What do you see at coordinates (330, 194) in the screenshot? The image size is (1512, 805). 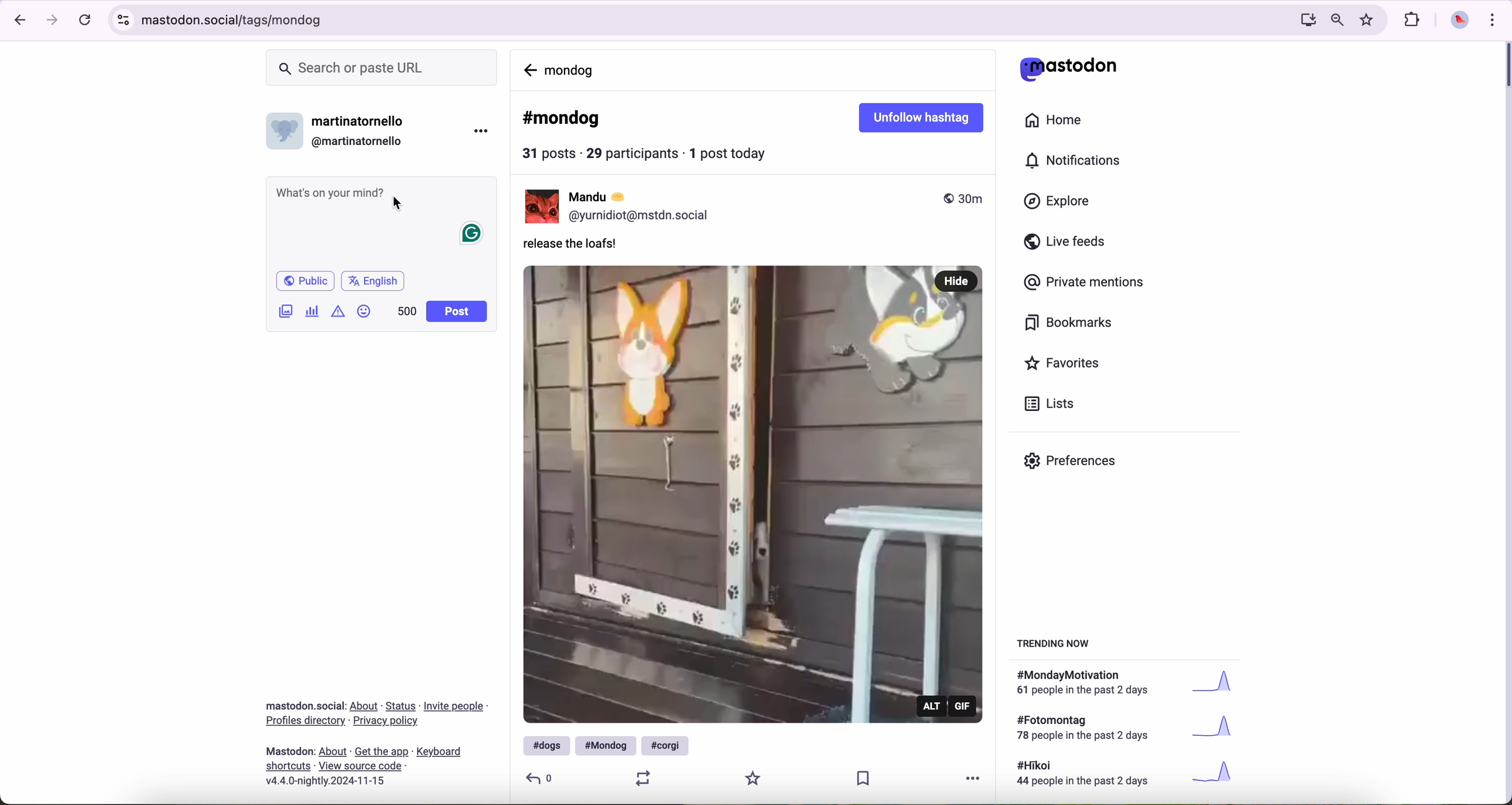 I see `Whats on your mind?` at bounding box center [330, 194].